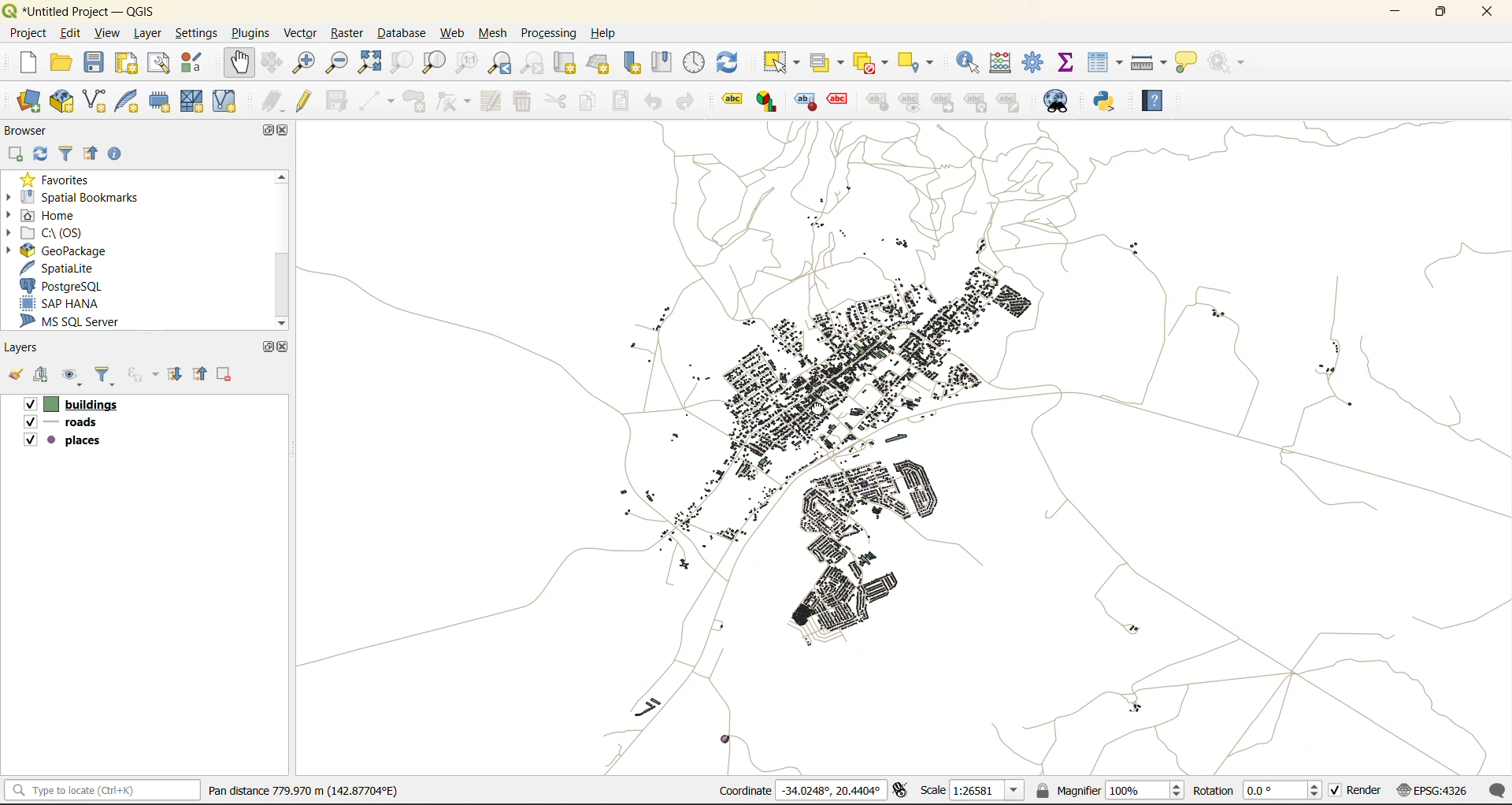 The image size is (1512, 805). I want to click on buildings, so click(70, 403).